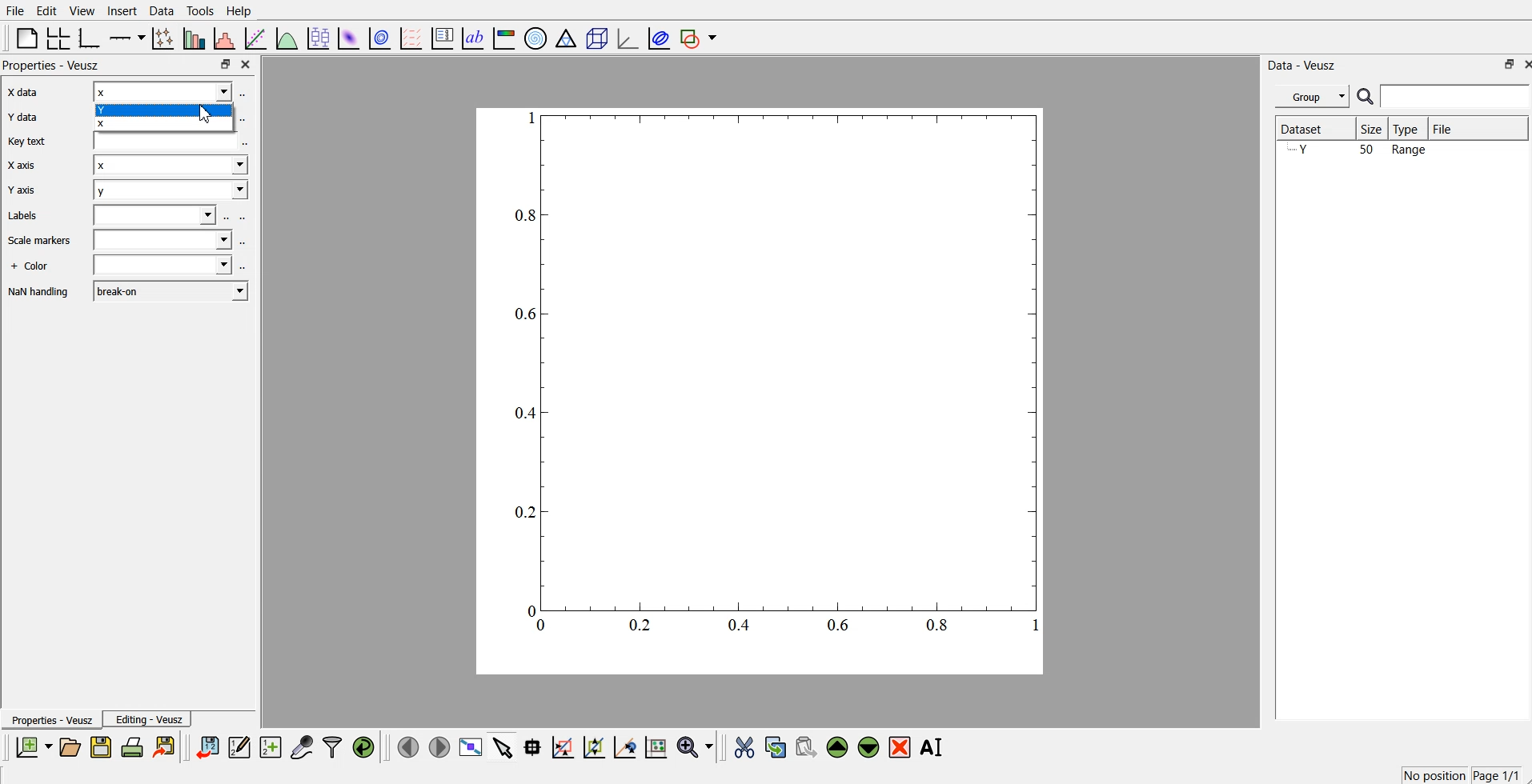 This screenshot has height=784, width=1532. Describe the element at coordinates (195, 37) in the screenshot. I see `bar chart` at that location.